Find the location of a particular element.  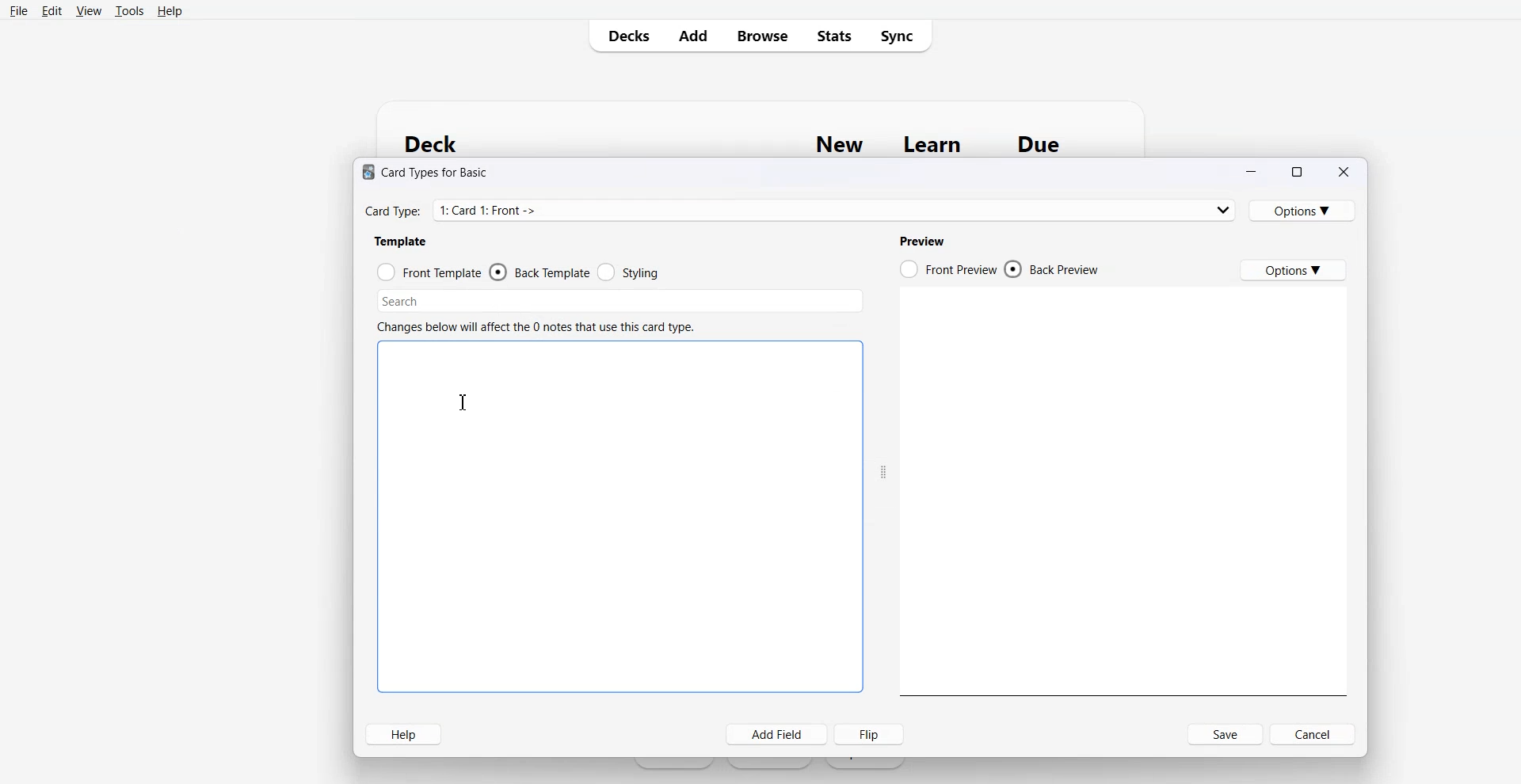

Text cursor is located at coordinates (385, 355).